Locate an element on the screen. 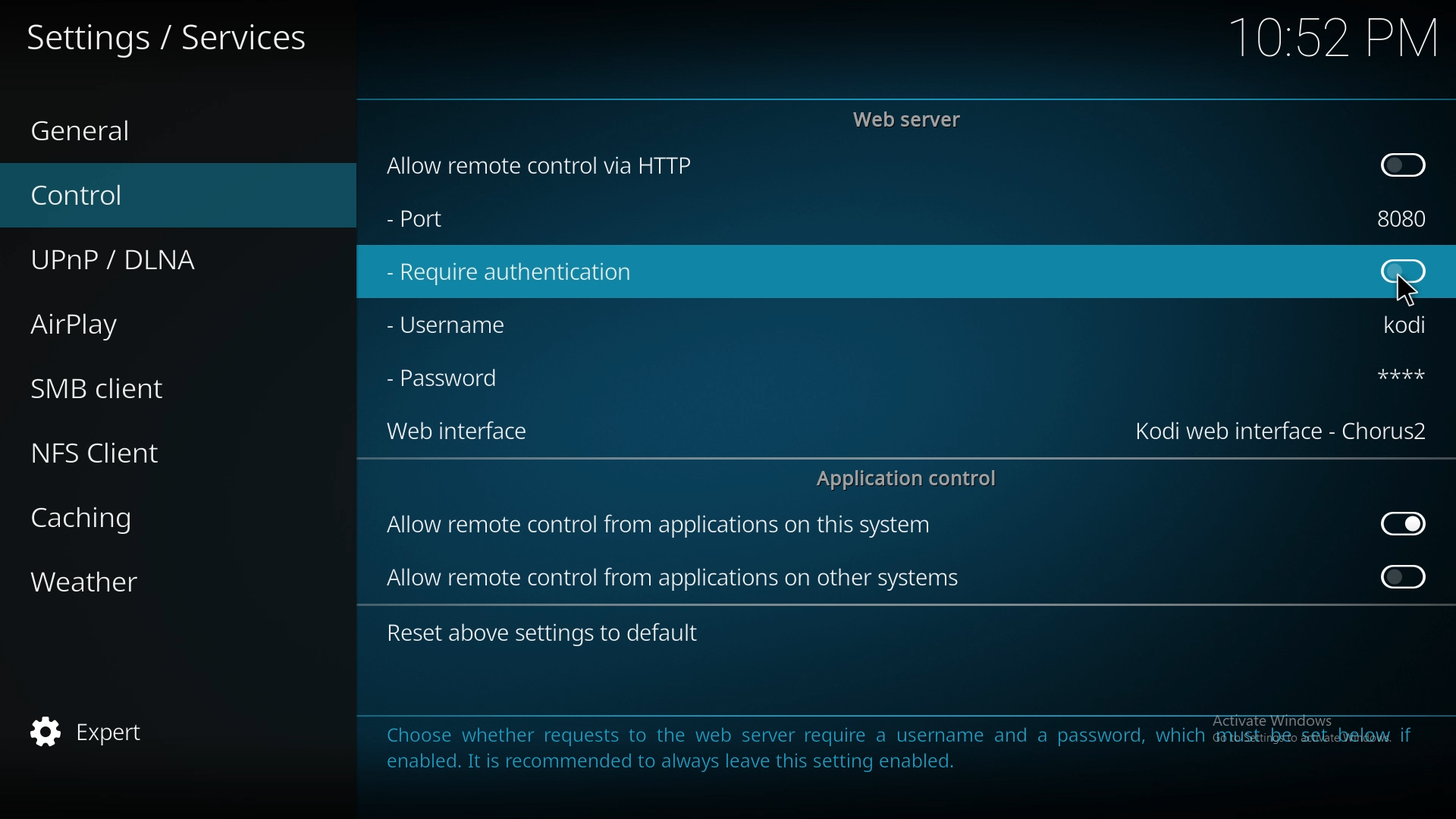 The width and height of the screenshot is (1456, 819). allow remote control from apps on other systems is located at coordinates (676, 578).